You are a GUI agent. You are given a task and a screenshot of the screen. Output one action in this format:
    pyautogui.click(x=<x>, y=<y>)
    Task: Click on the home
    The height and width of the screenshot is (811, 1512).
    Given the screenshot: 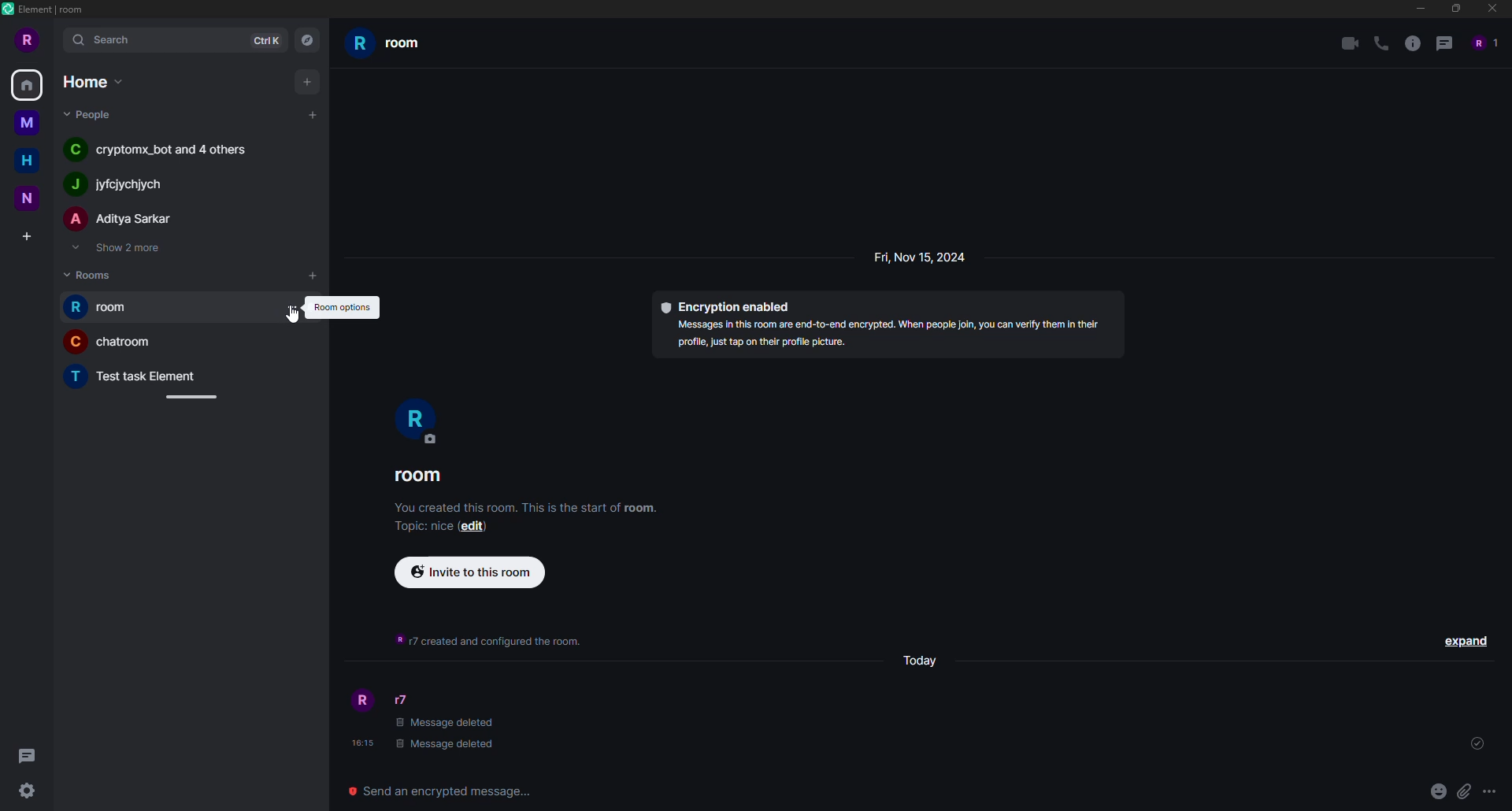 What is the action you would take?
    pyautogui.click(x=30, y=86)
    